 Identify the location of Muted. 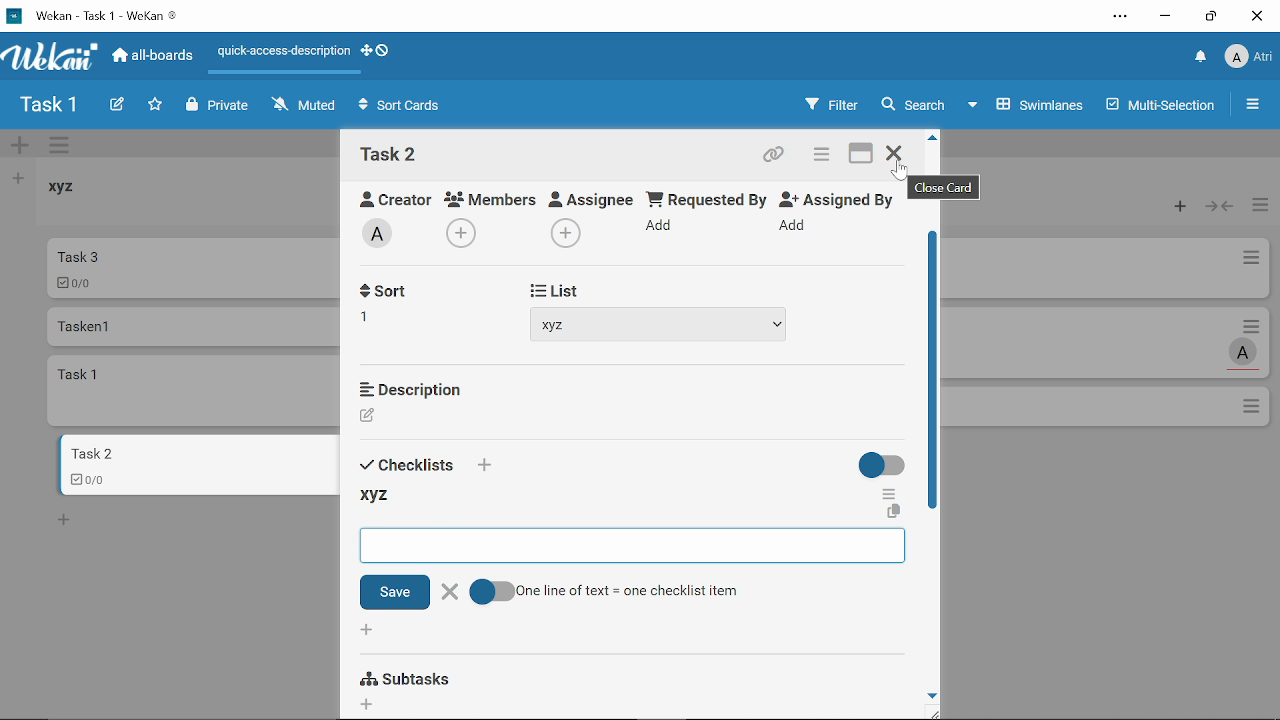
(305, 104).